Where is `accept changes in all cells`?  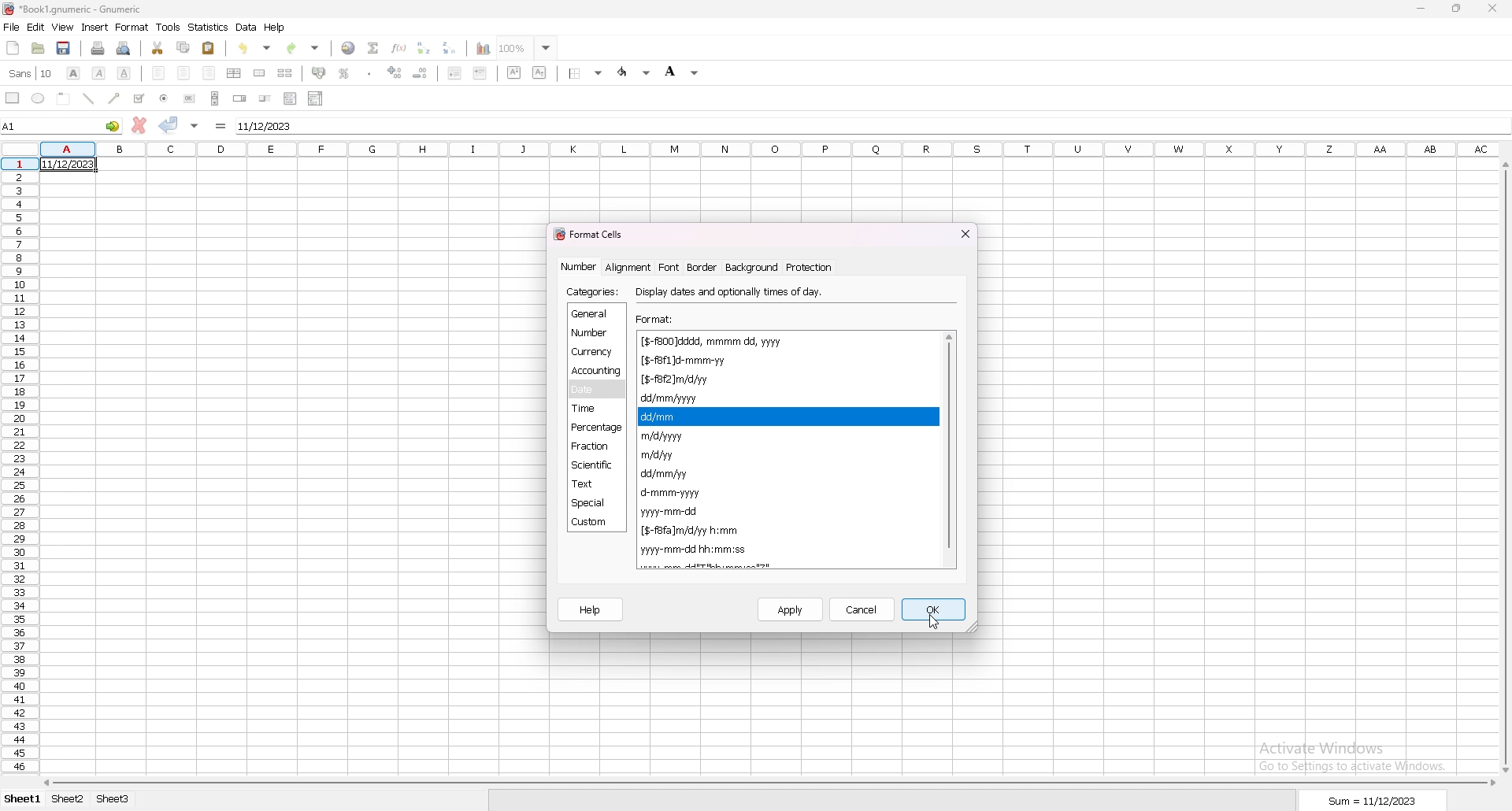 accept changes in all cells is located at coordinates (195, 125).